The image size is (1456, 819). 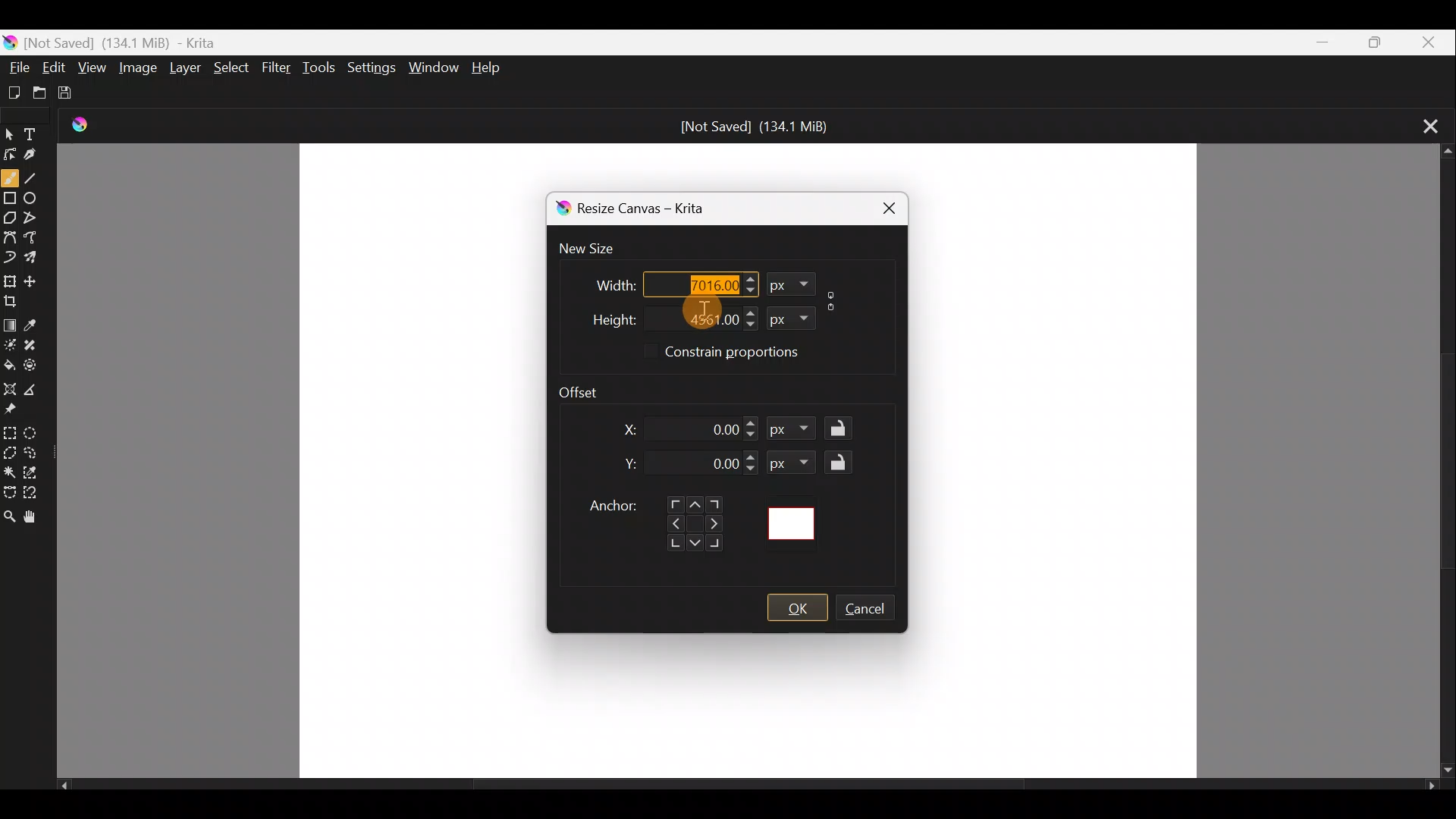 I want to click on Rectangular selection tool, so click(x=12, y=432).